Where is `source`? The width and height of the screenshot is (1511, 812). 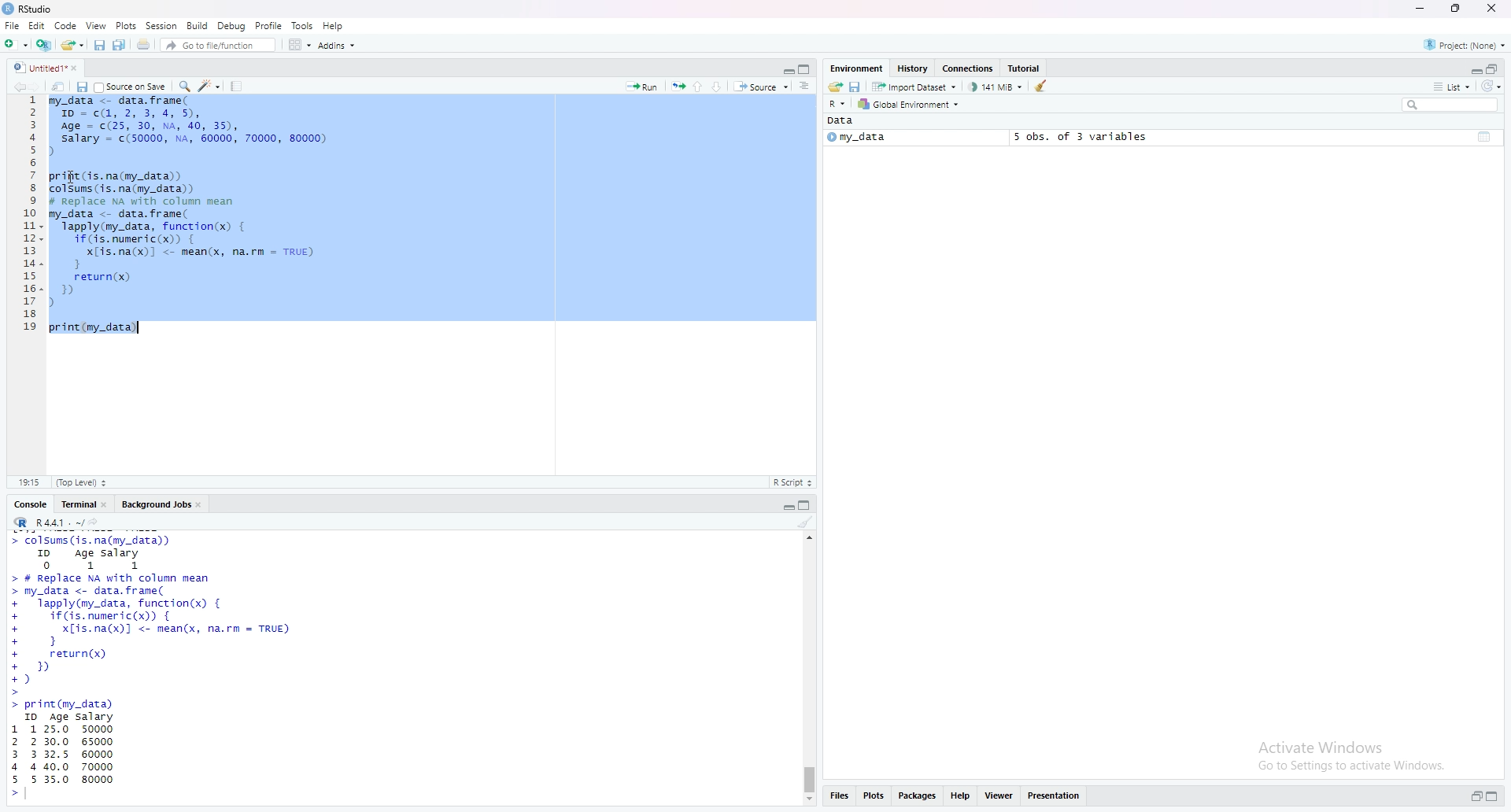 source is located at coordinates (762, 88).